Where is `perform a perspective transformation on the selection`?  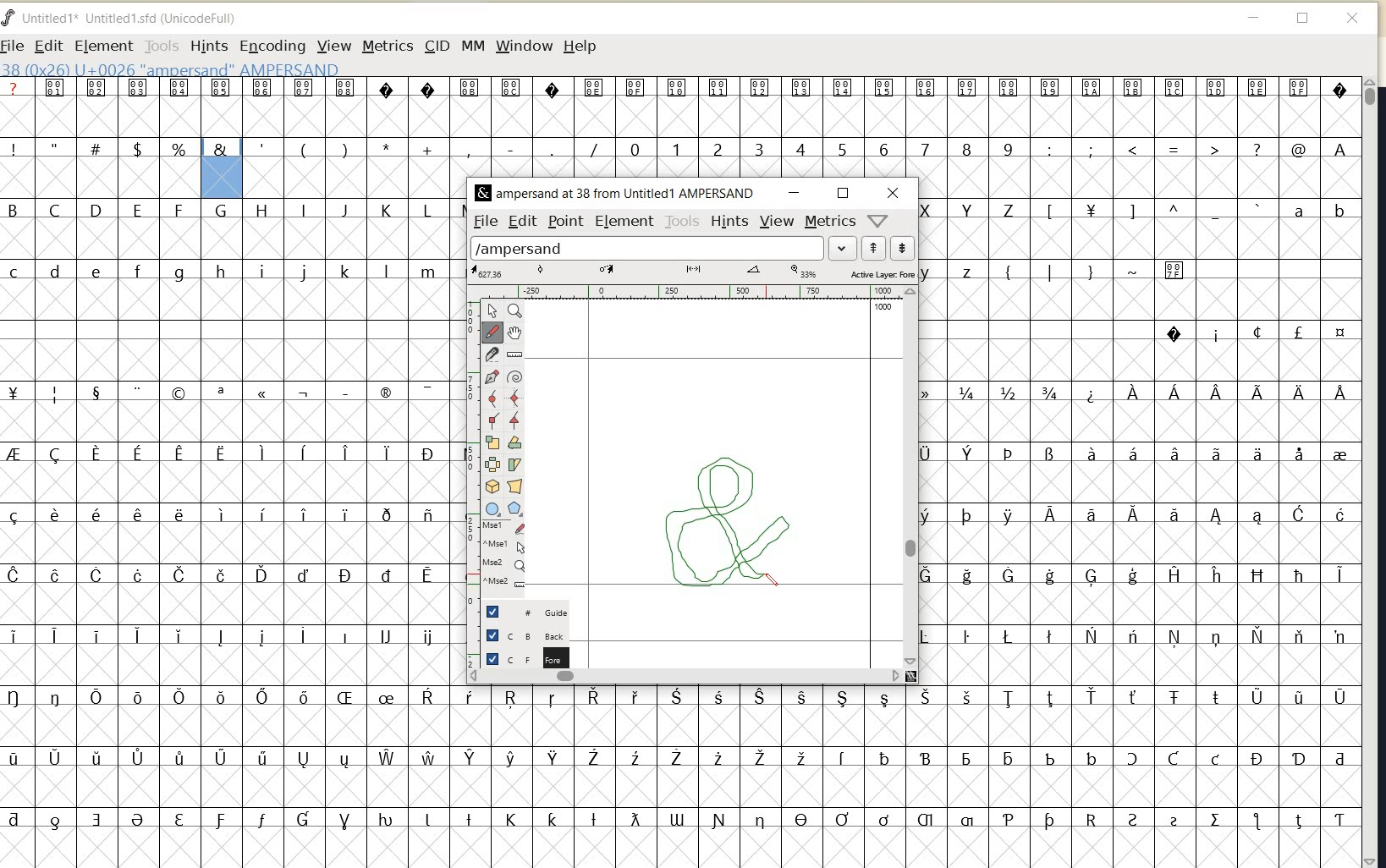 perform a perspective transformation on the selection is located at coordinates (514, 487).